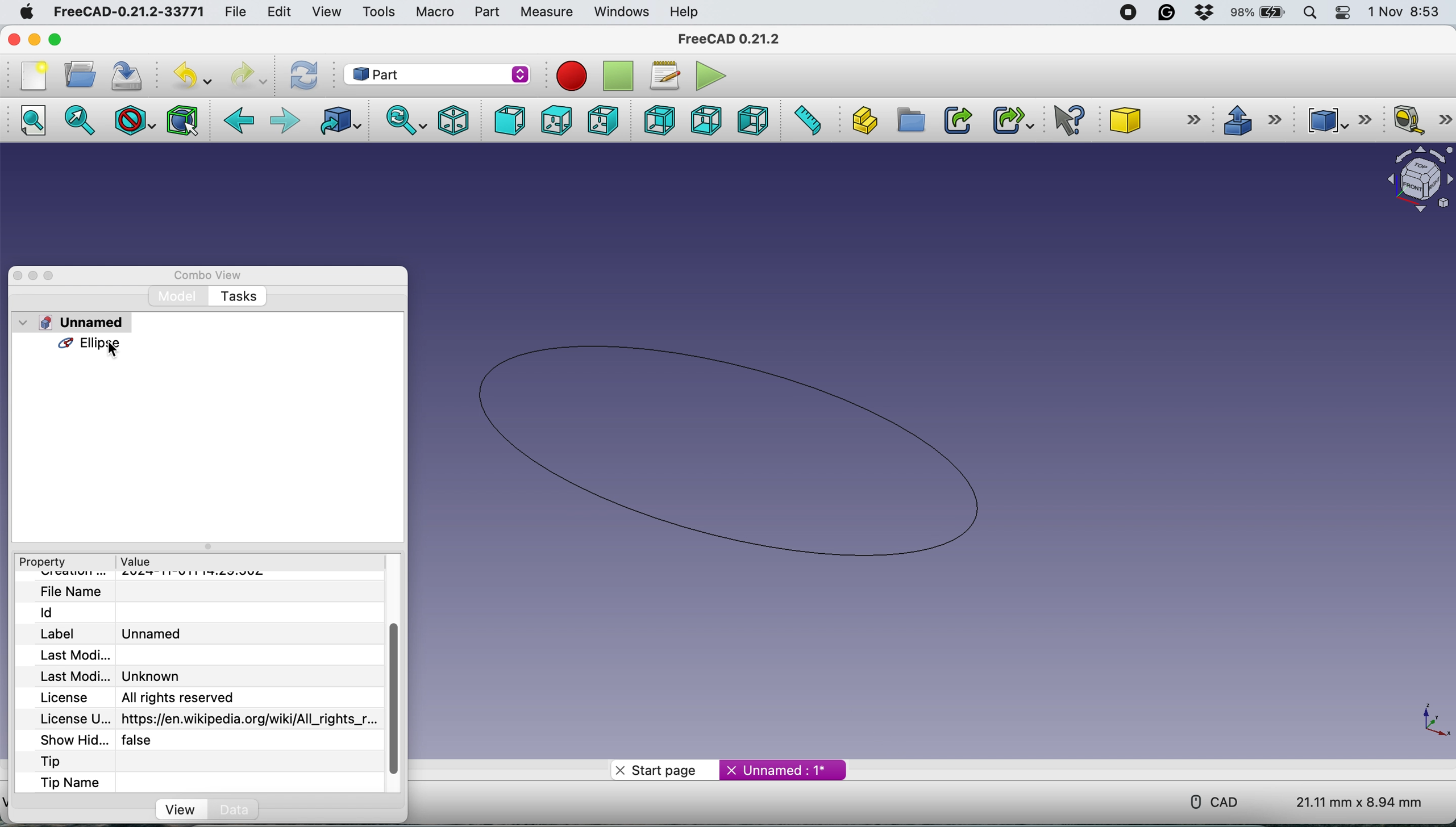 The height and width of the screenshot is (827, 1456). I want to click on view, so click(325, 11).